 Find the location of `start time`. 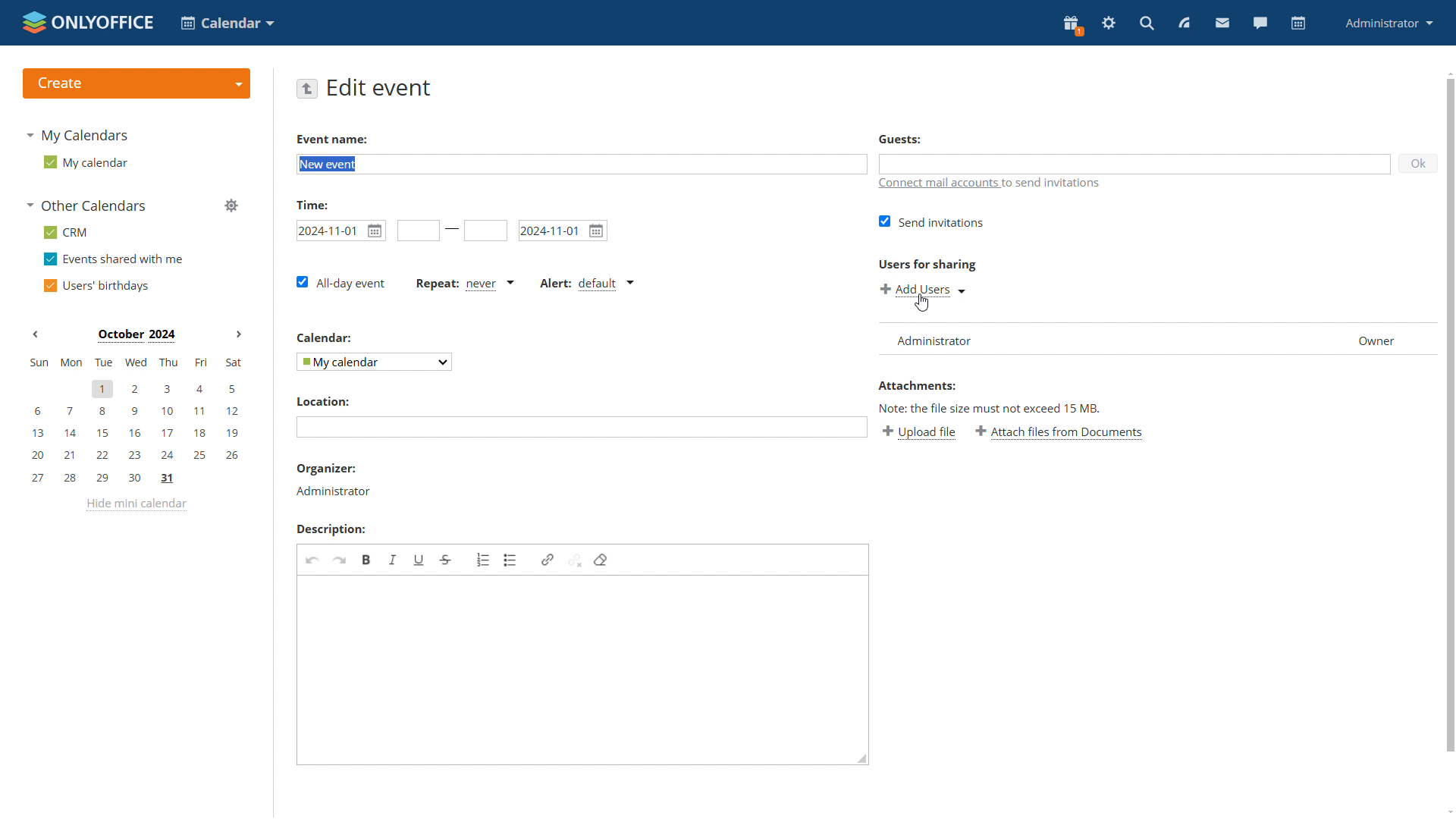

start time is located at coordinates (418, 231).